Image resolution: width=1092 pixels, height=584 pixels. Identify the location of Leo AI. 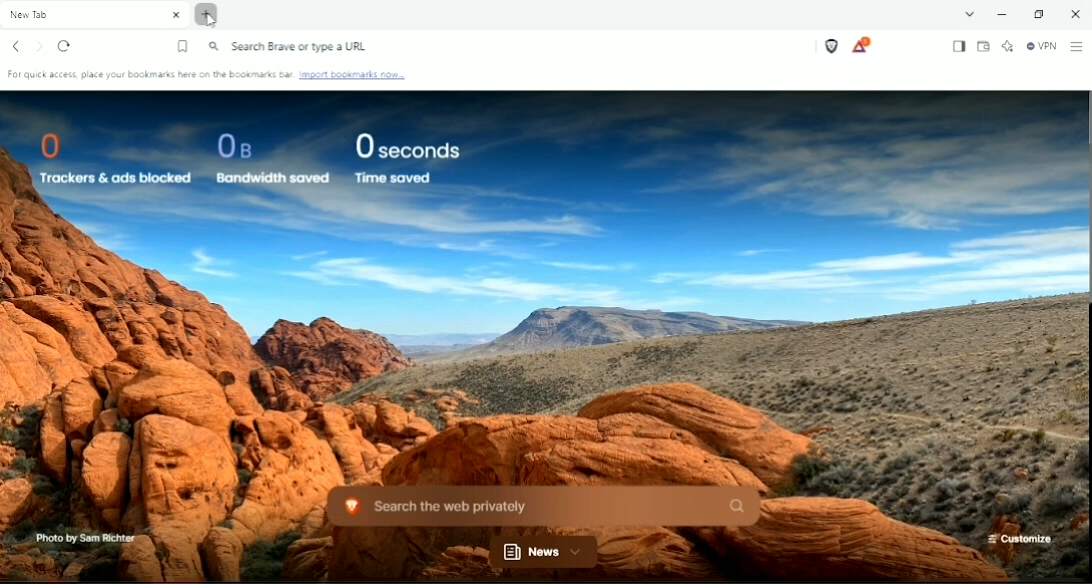
(1007, 46).